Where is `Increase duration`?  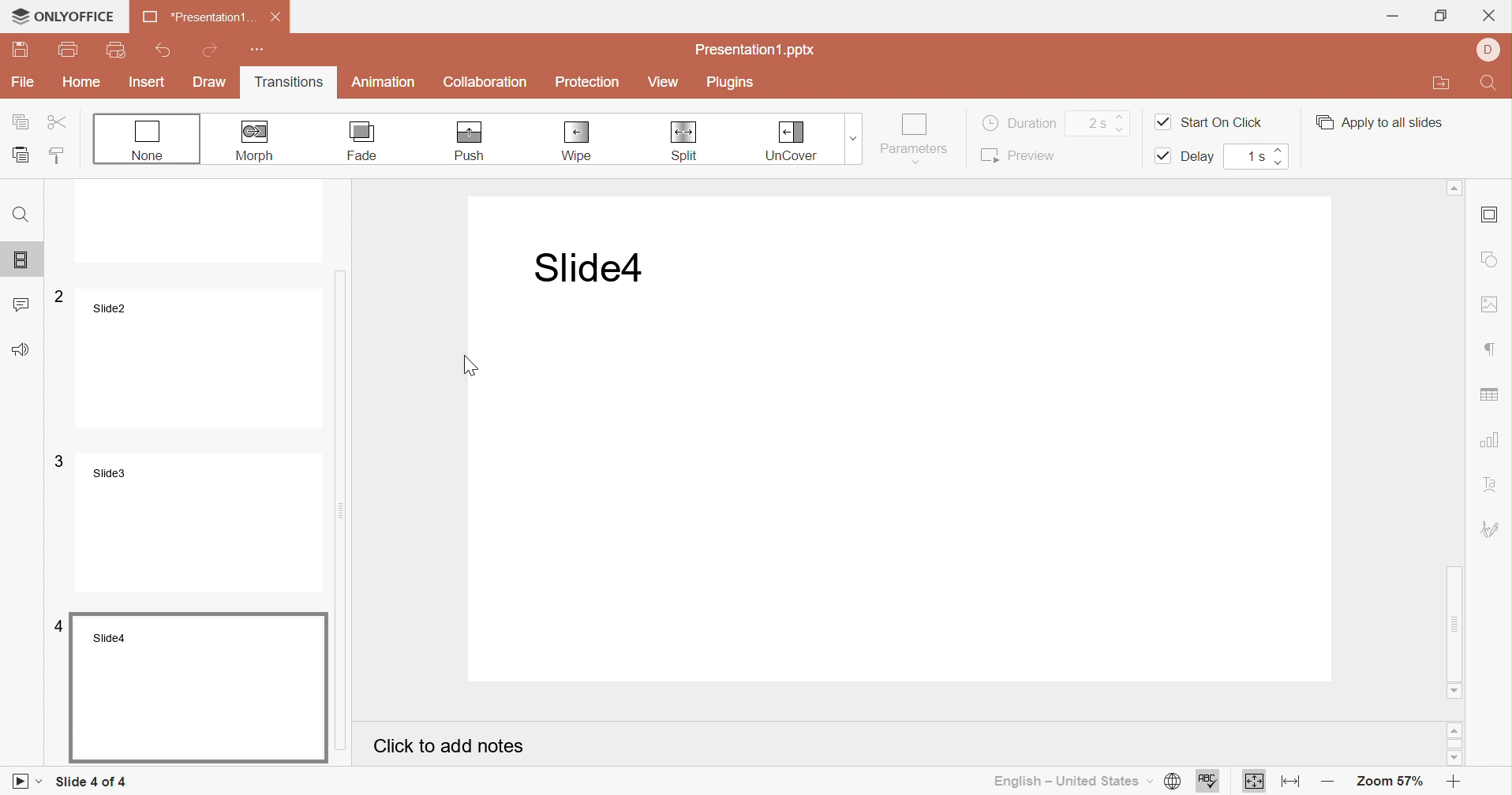 Increase duration is located at coordinates (1121, 113).